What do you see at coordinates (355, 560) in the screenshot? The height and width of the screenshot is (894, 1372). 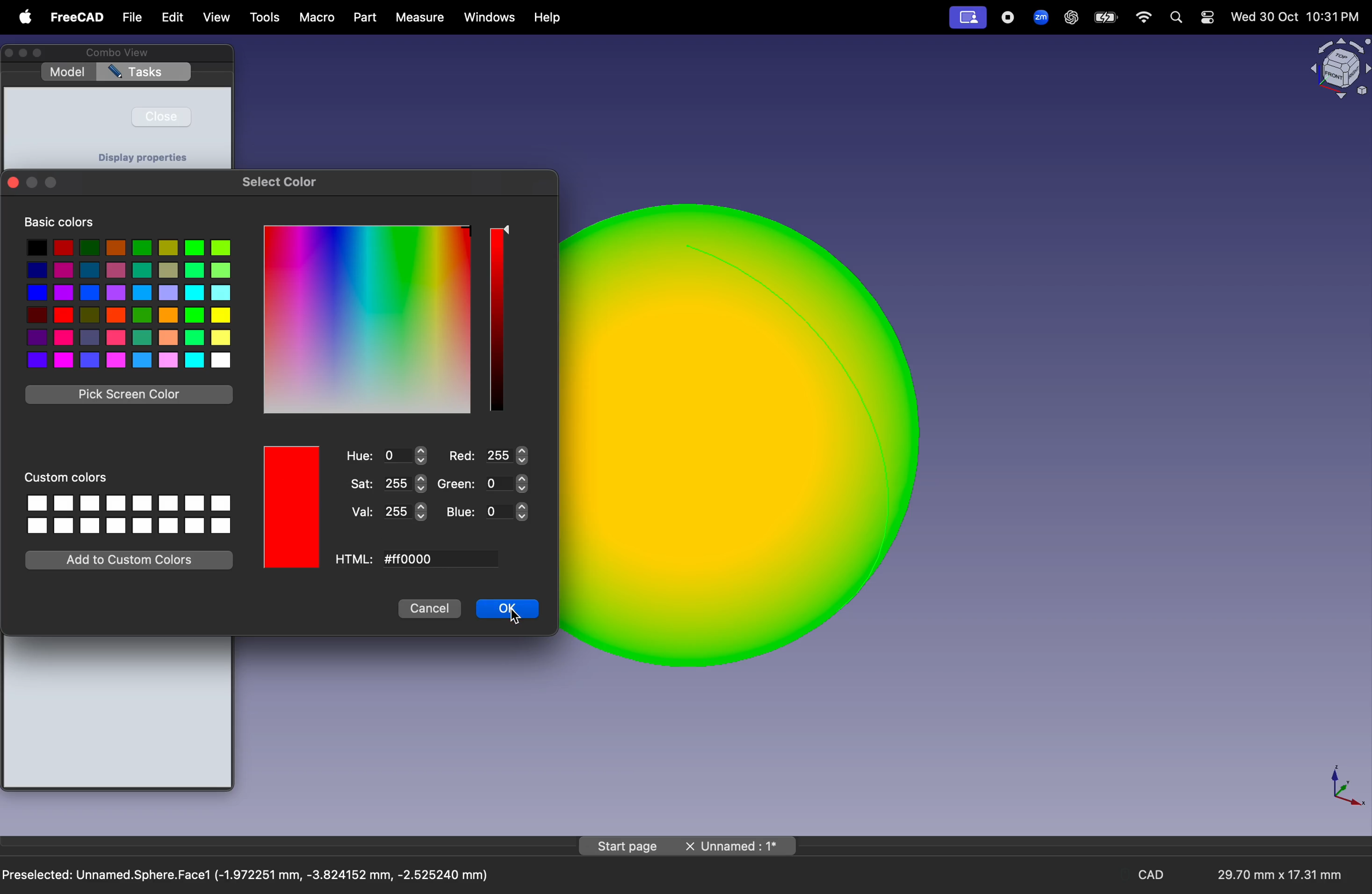 I see `html` at bounding box center [355, 560].